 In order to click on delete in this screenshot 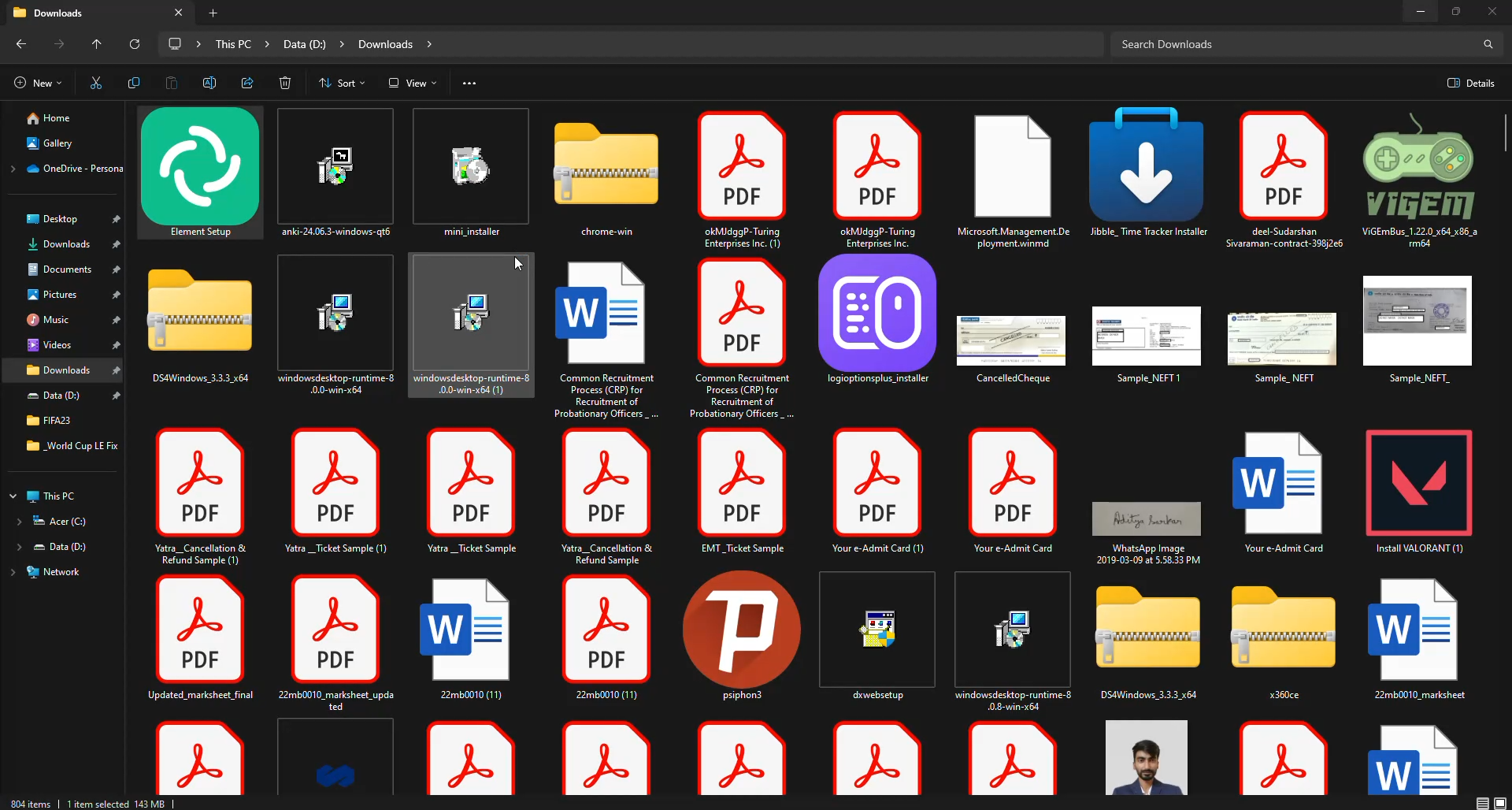, I will do `click(287, 86)`.